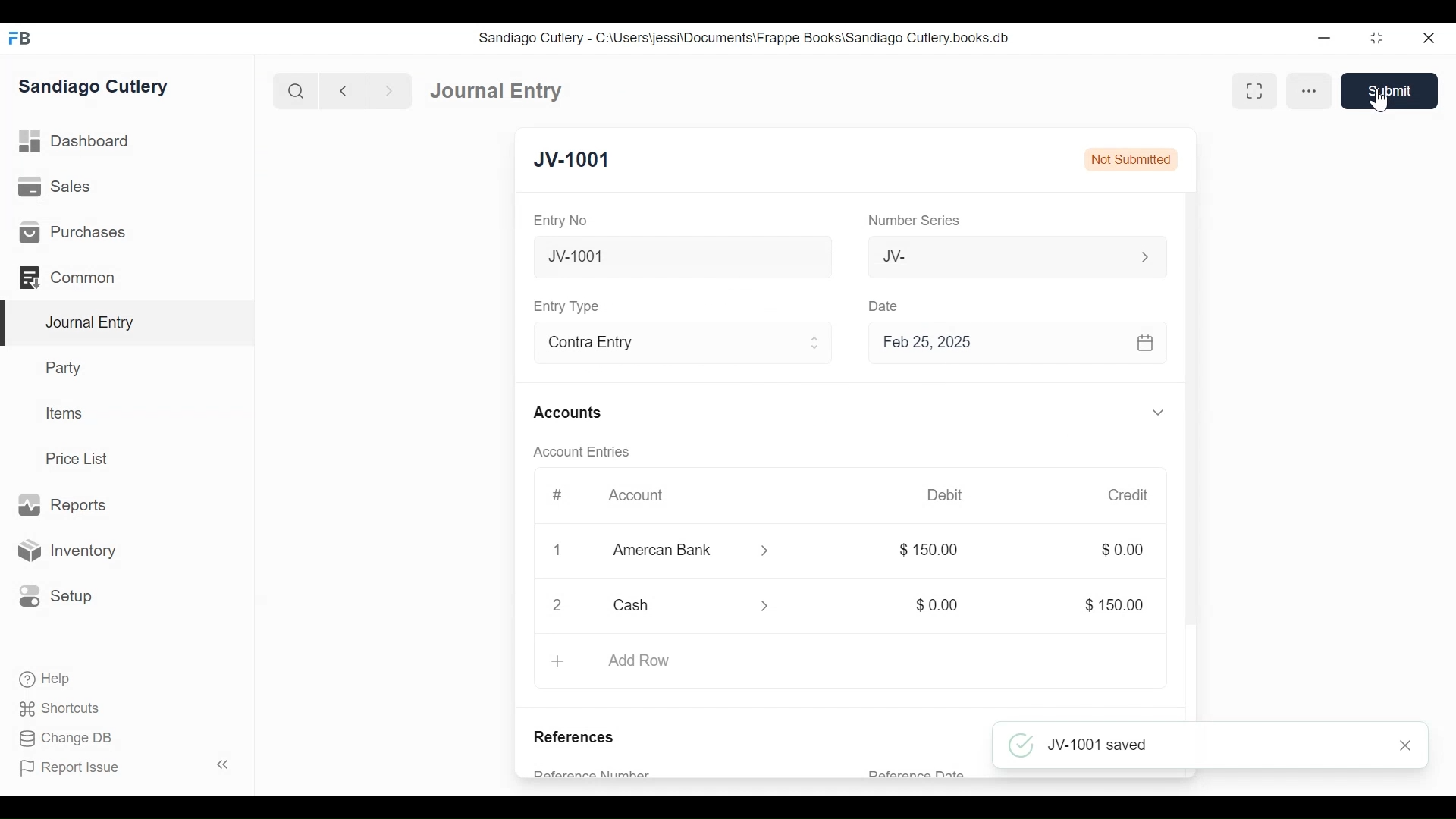 The width and height of the screenshot is (1456, 819). I want to click on minimize, so click(1325, 37).